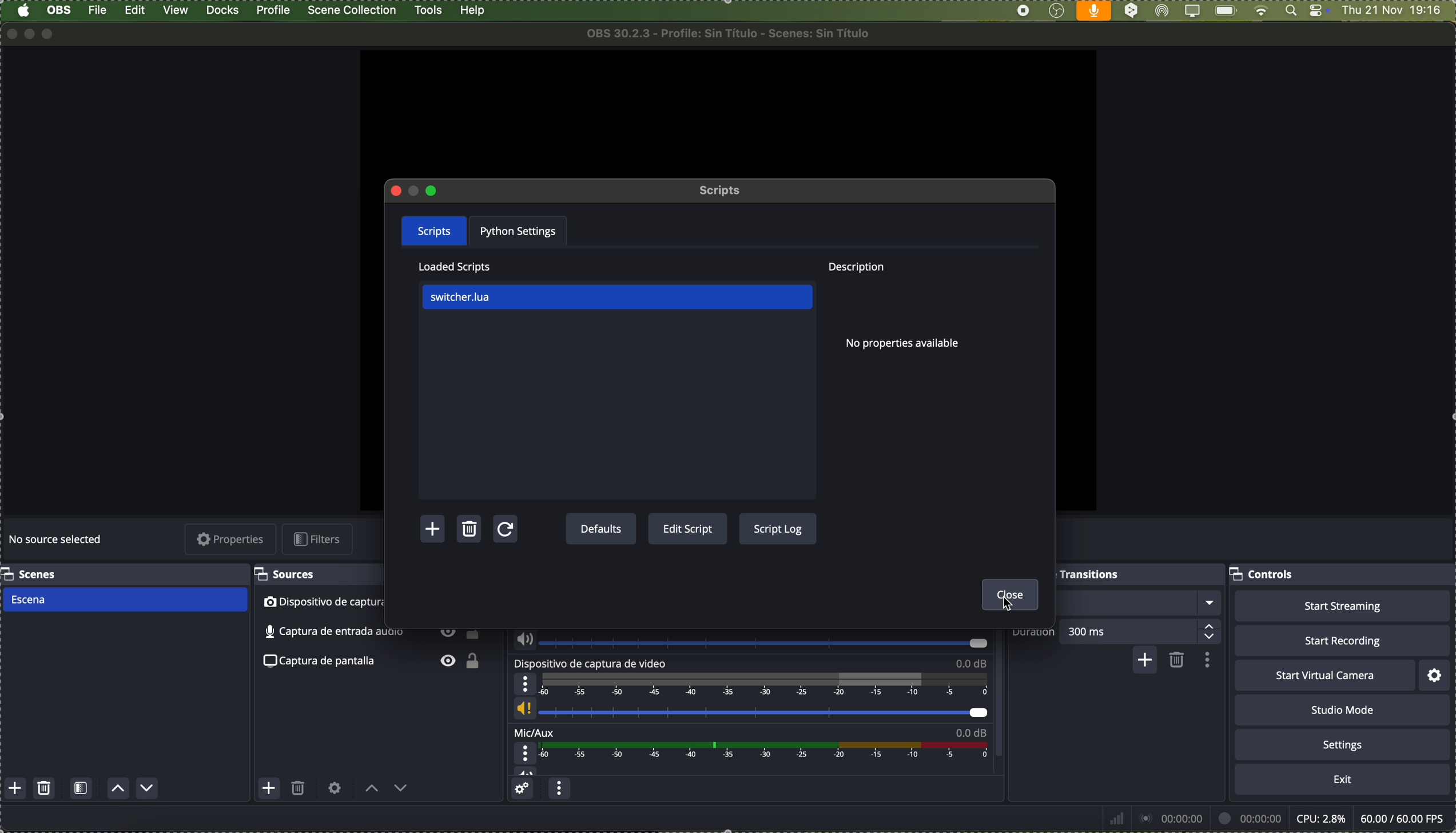 Image resolution: width=1456 pixels, height=833 pixels. What do you see at coordinates (471, 531) in the screenshot?
I see `delete script` at bounding box center [471, 531].